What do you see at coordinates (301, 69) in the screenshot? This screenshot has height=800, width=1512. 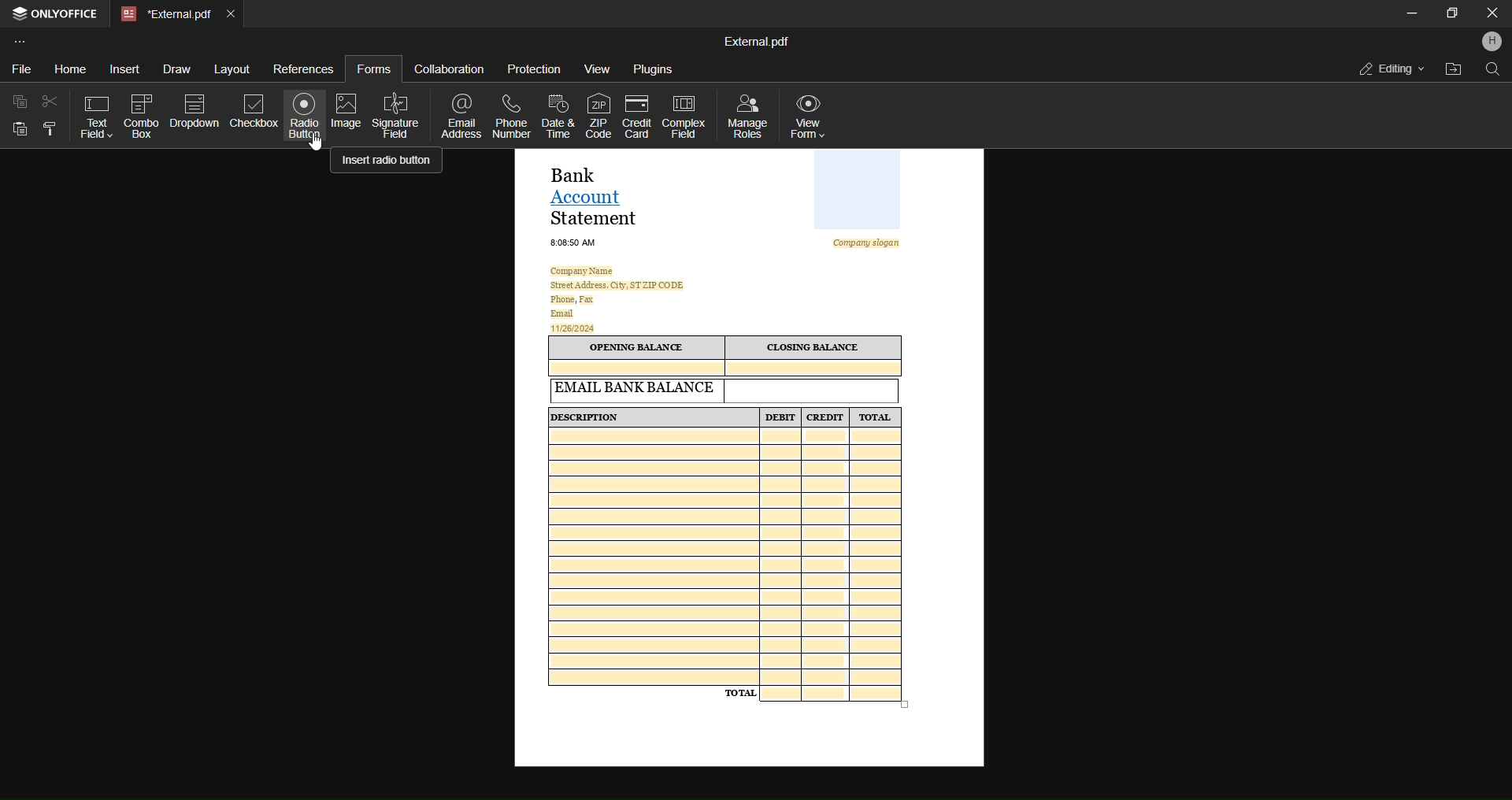 I see `references` at bounding box center [301, 69].